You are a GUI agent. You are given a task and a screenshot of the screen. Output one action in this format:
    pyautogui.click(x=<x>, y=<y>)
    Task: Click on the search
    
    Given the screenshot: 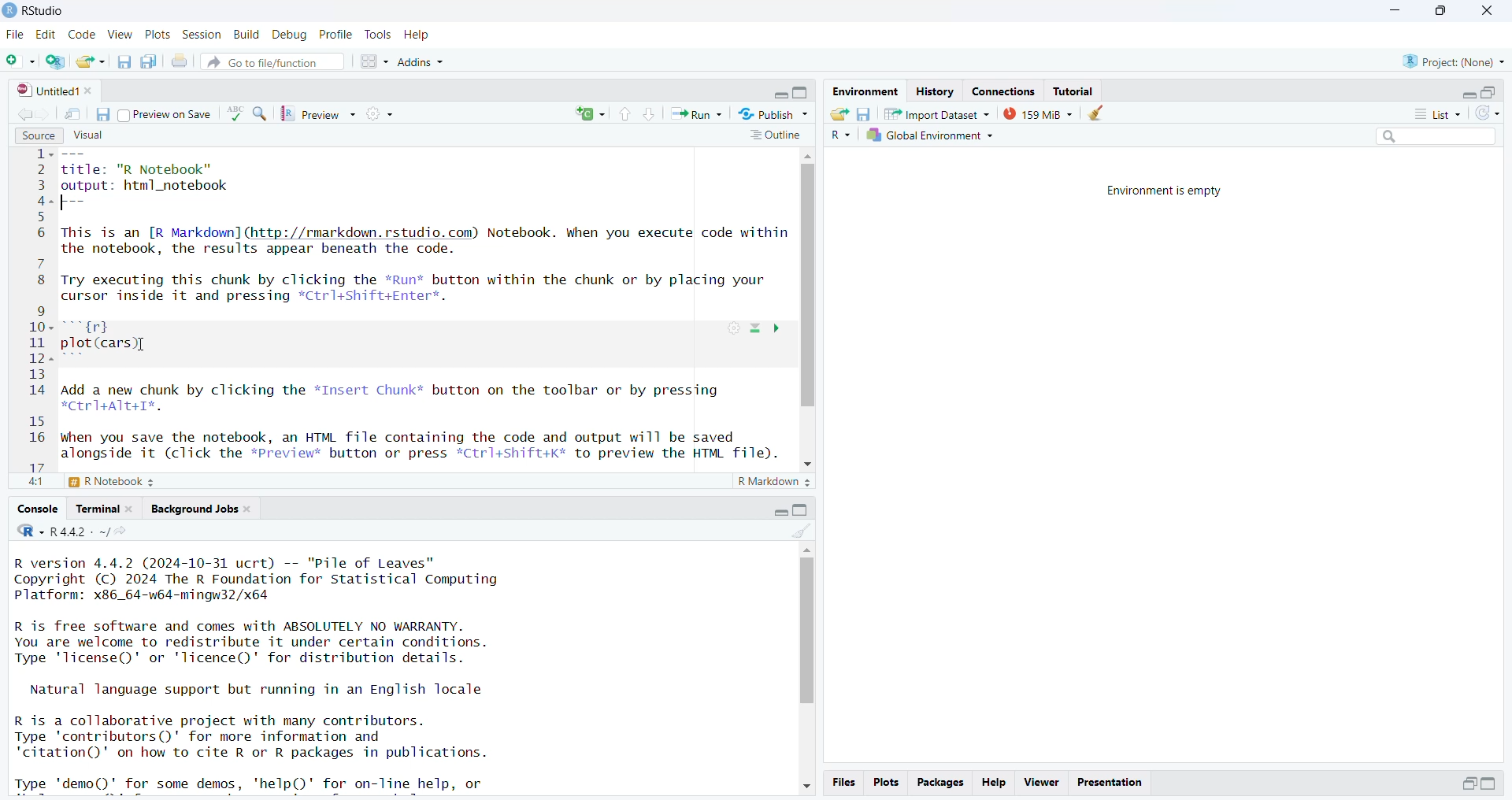 What is the action you would take?
    pyautogui.click(x=1430, y=139)
    